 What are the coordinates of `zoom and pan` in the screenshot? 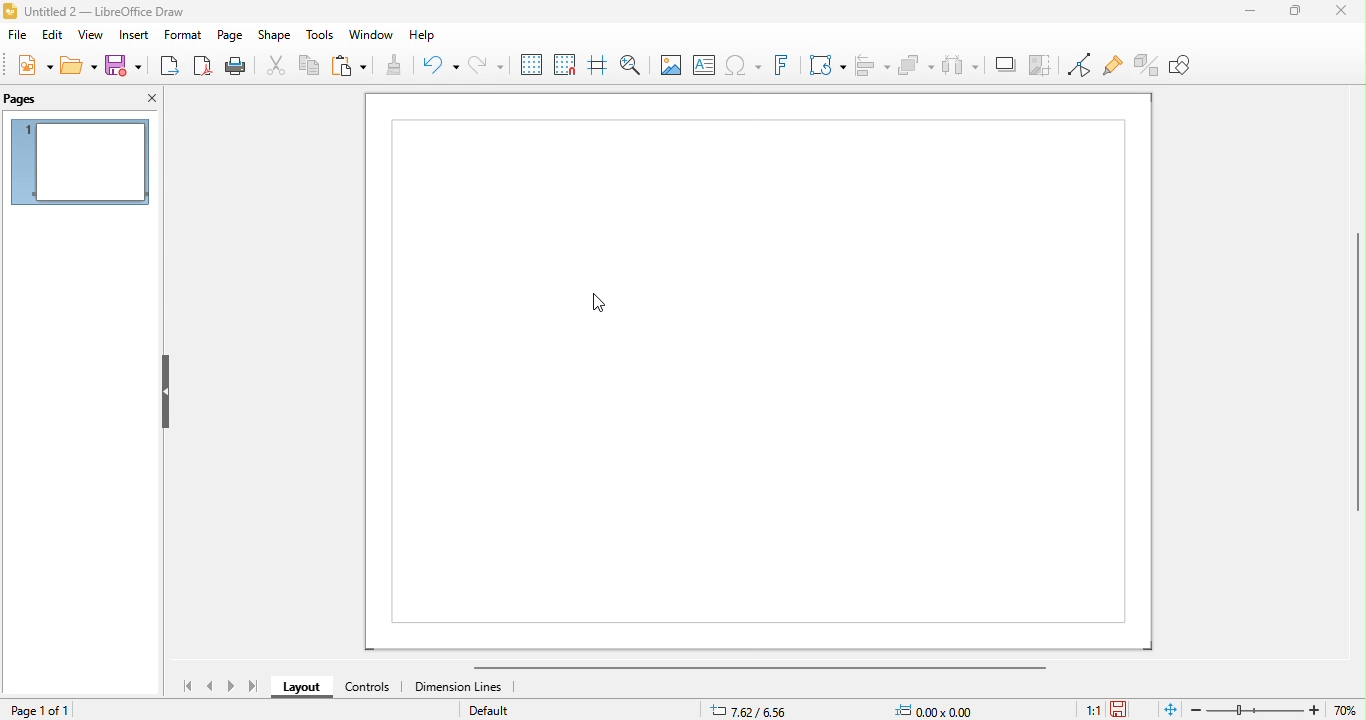 It's located at (632, 65).